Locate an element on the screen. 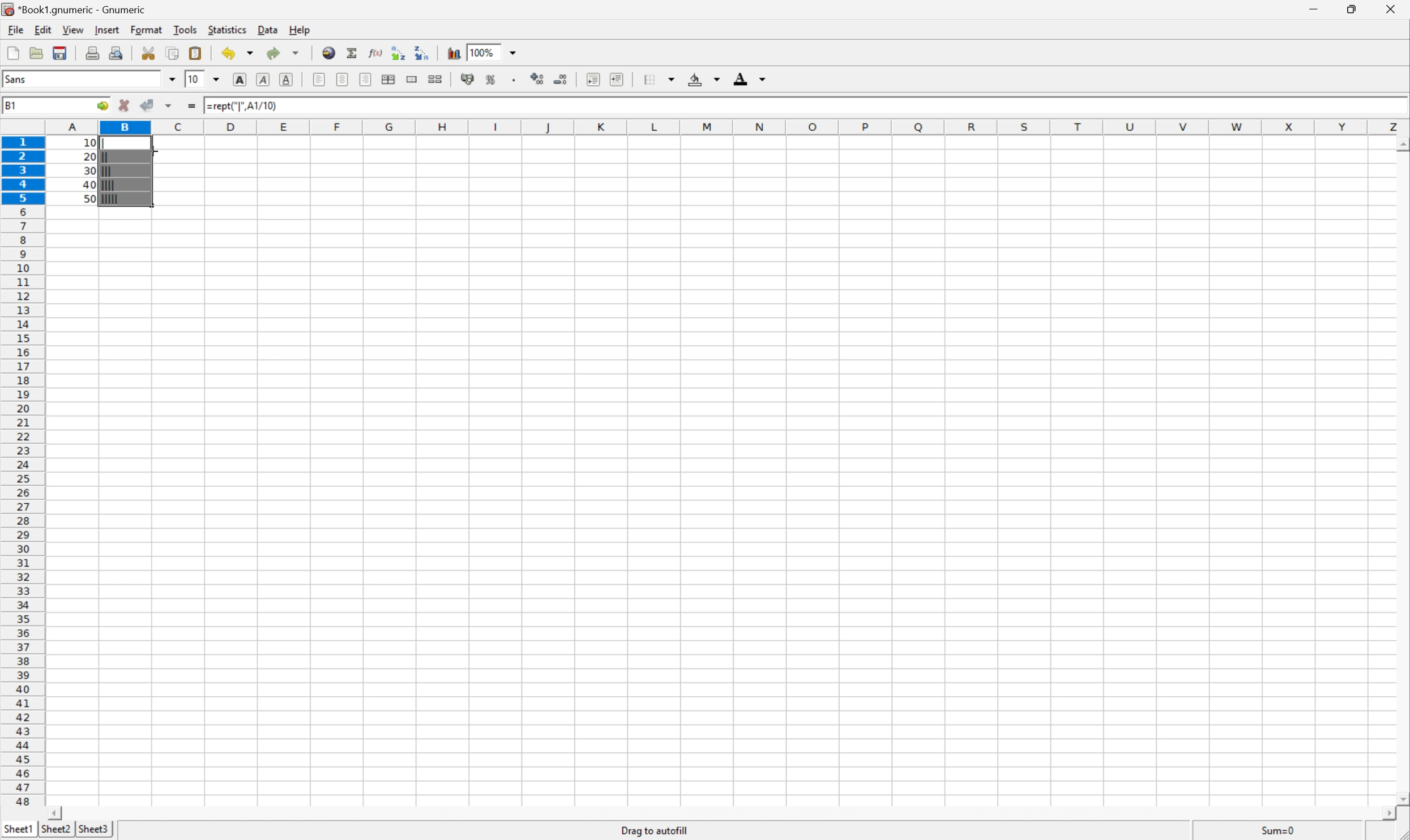 The height and width of the screenshot is (840, 1410). Sheet1 is located at coordinates (18, 831).